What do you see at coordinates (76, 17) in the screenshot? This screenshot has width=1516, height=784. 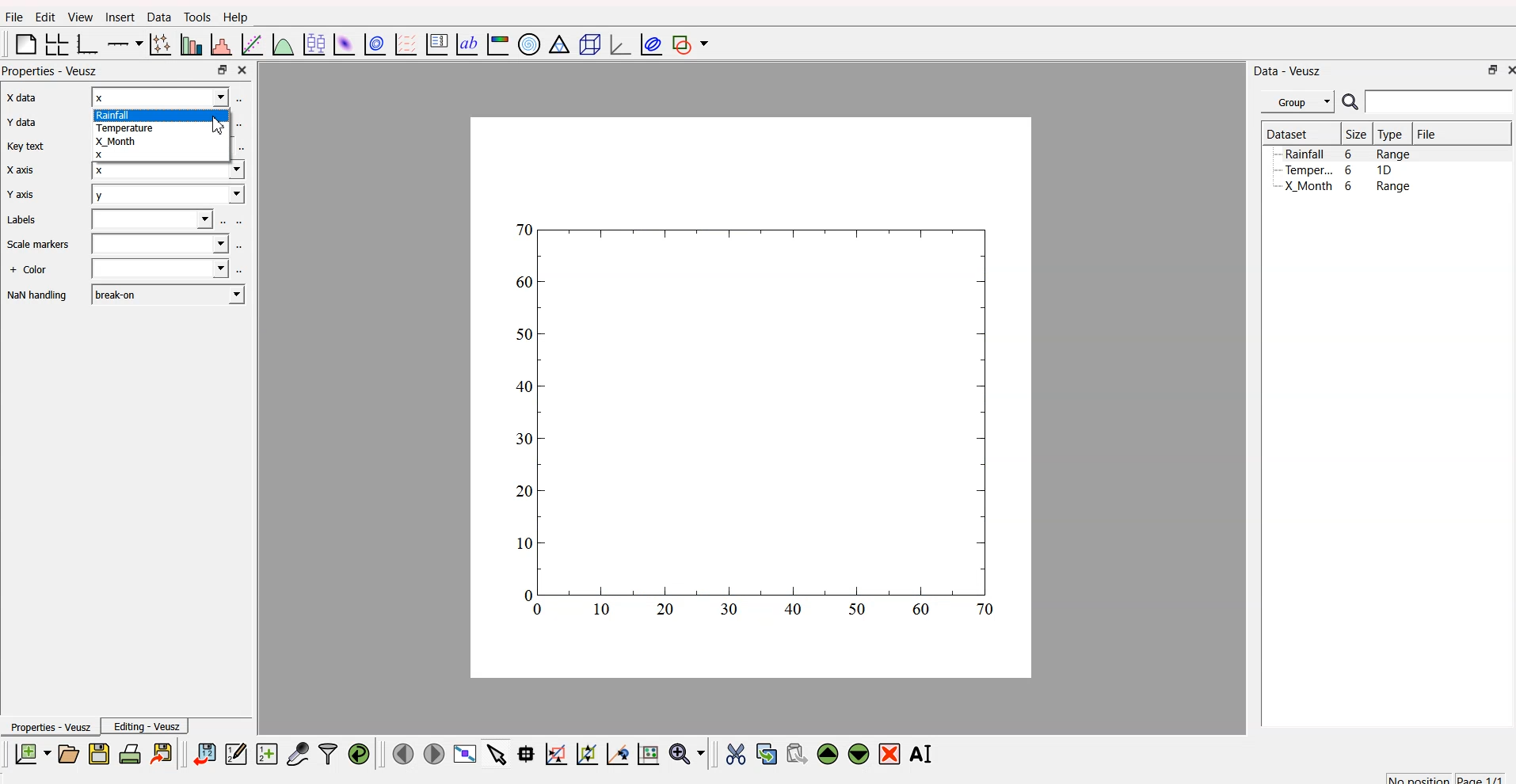 I see `View` at bounding box center [76, 17].